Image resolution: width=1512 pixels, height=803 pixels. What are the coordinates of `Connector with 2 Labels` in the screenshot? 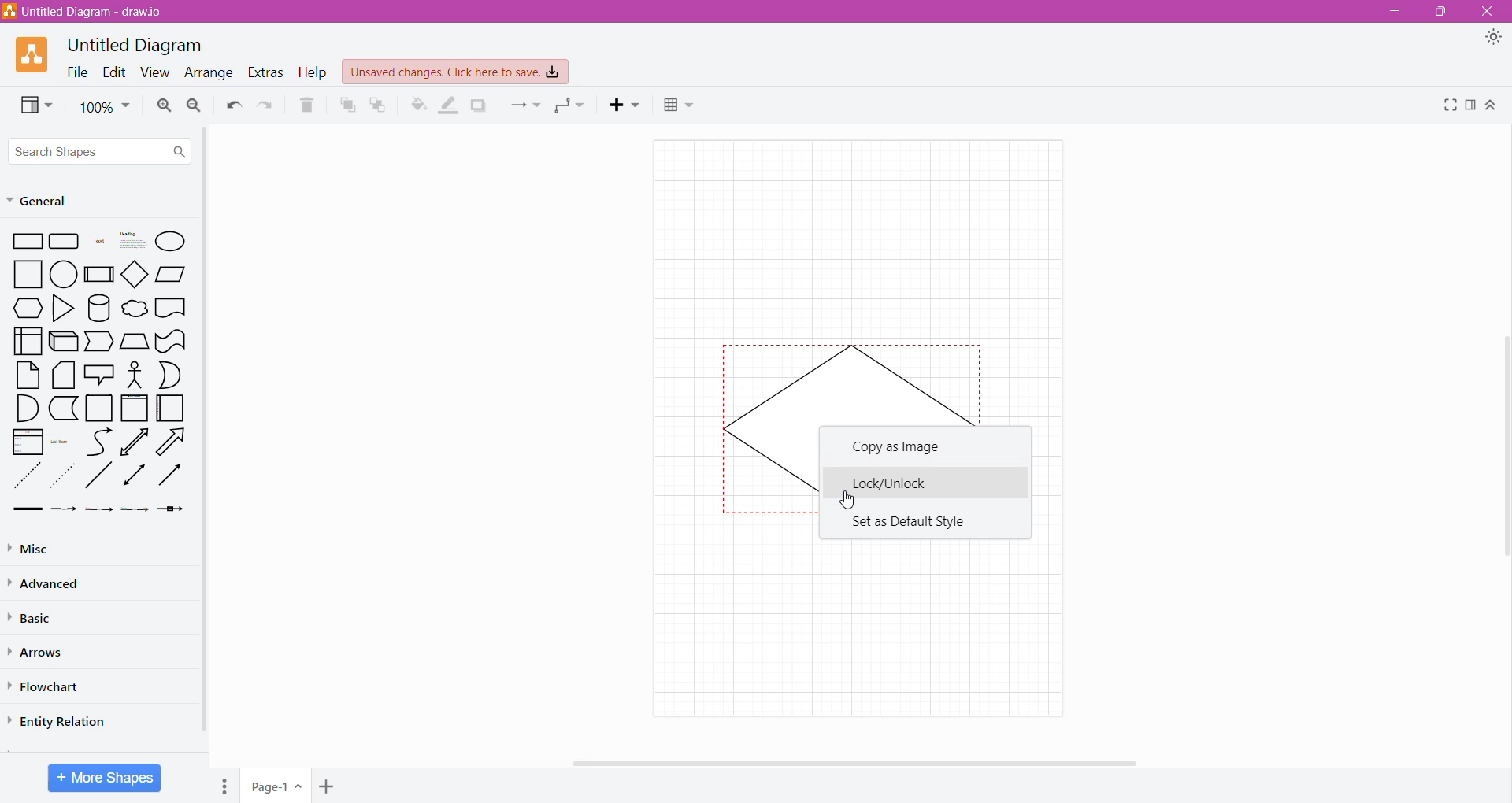 It's located at (100, 512).